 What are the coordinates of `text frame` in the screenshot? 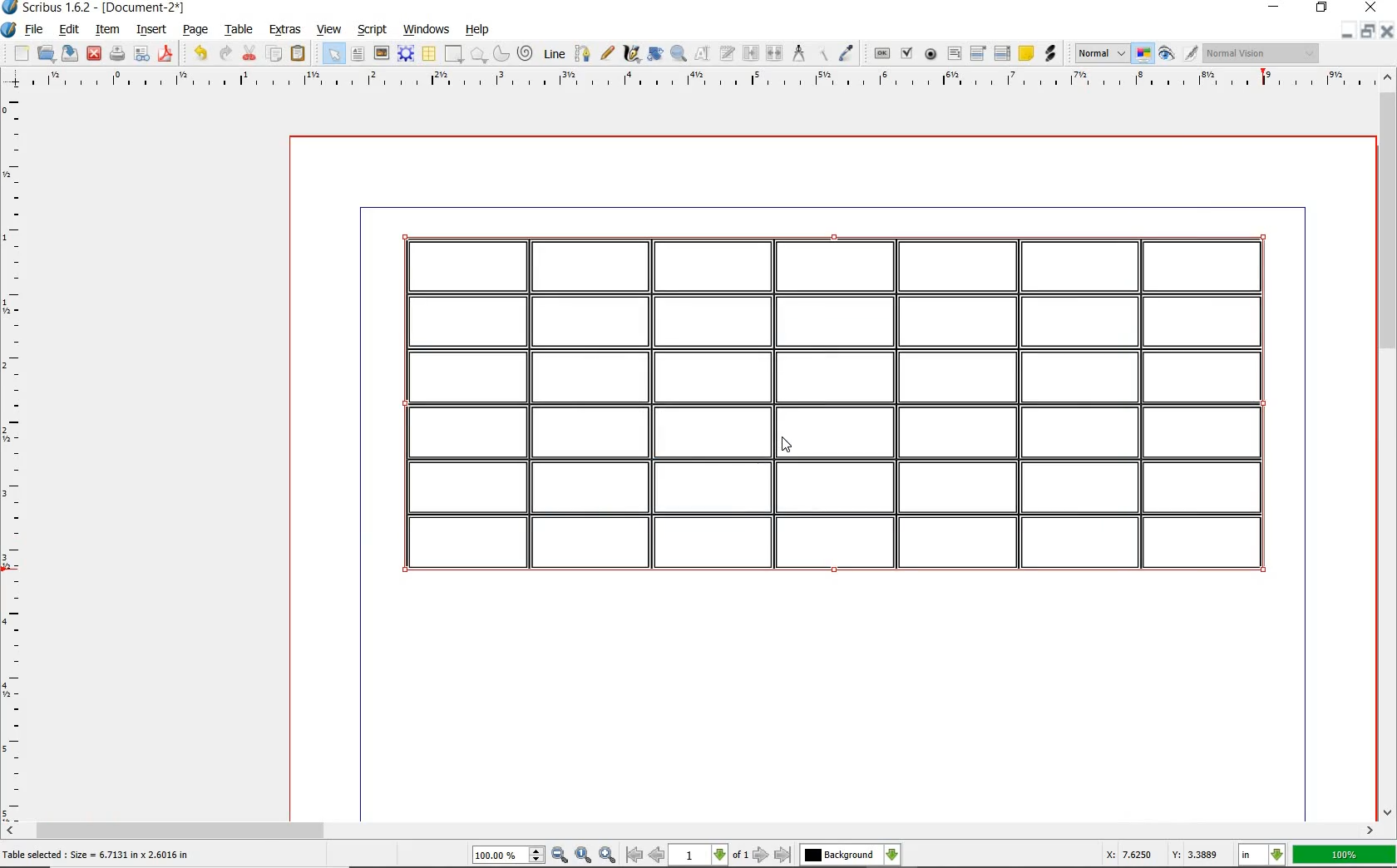 It's located at (358, 53).